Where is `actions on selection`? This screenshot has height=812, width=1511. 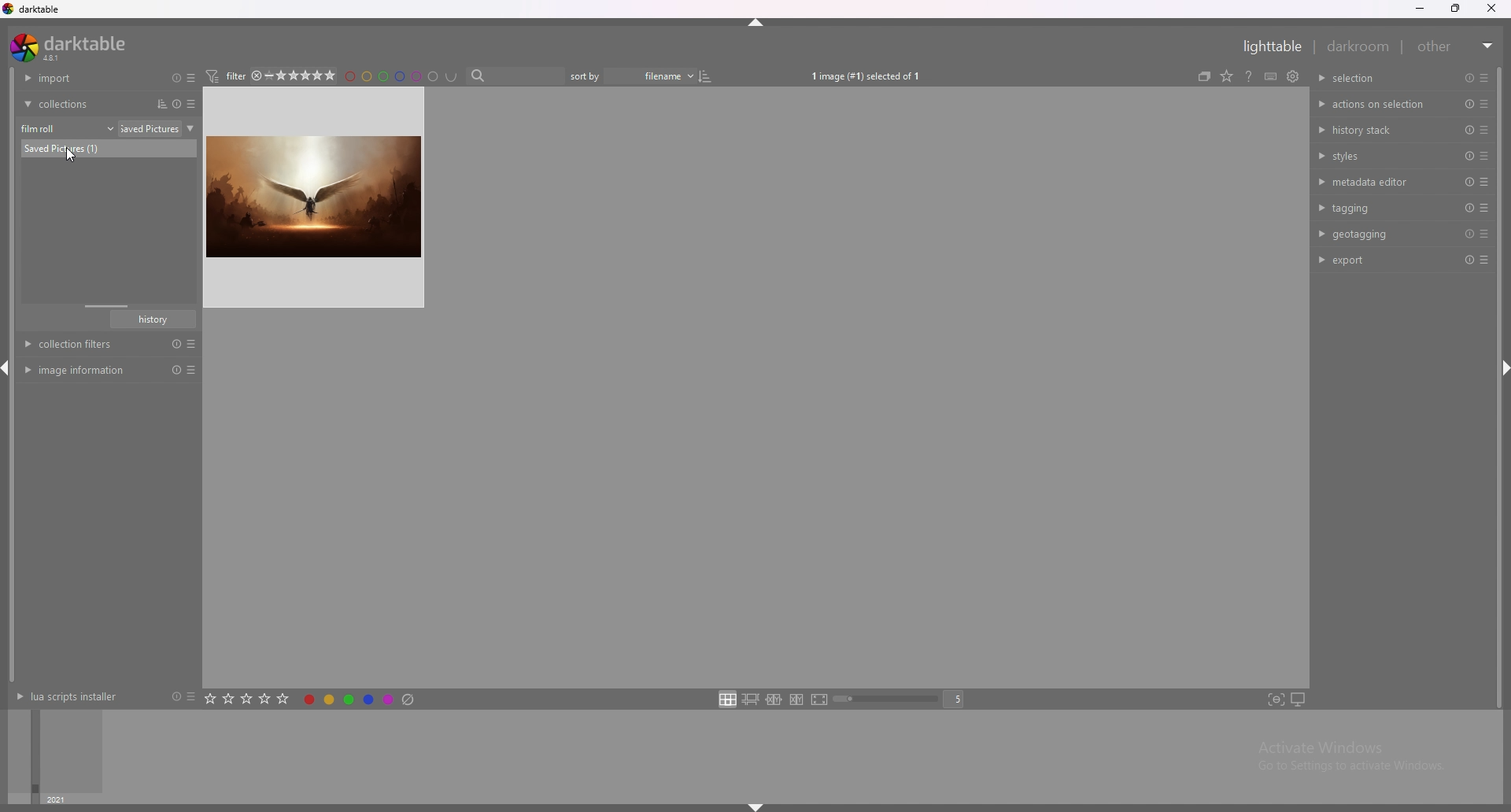 actions on selection is located at coordinates (1374, 105).